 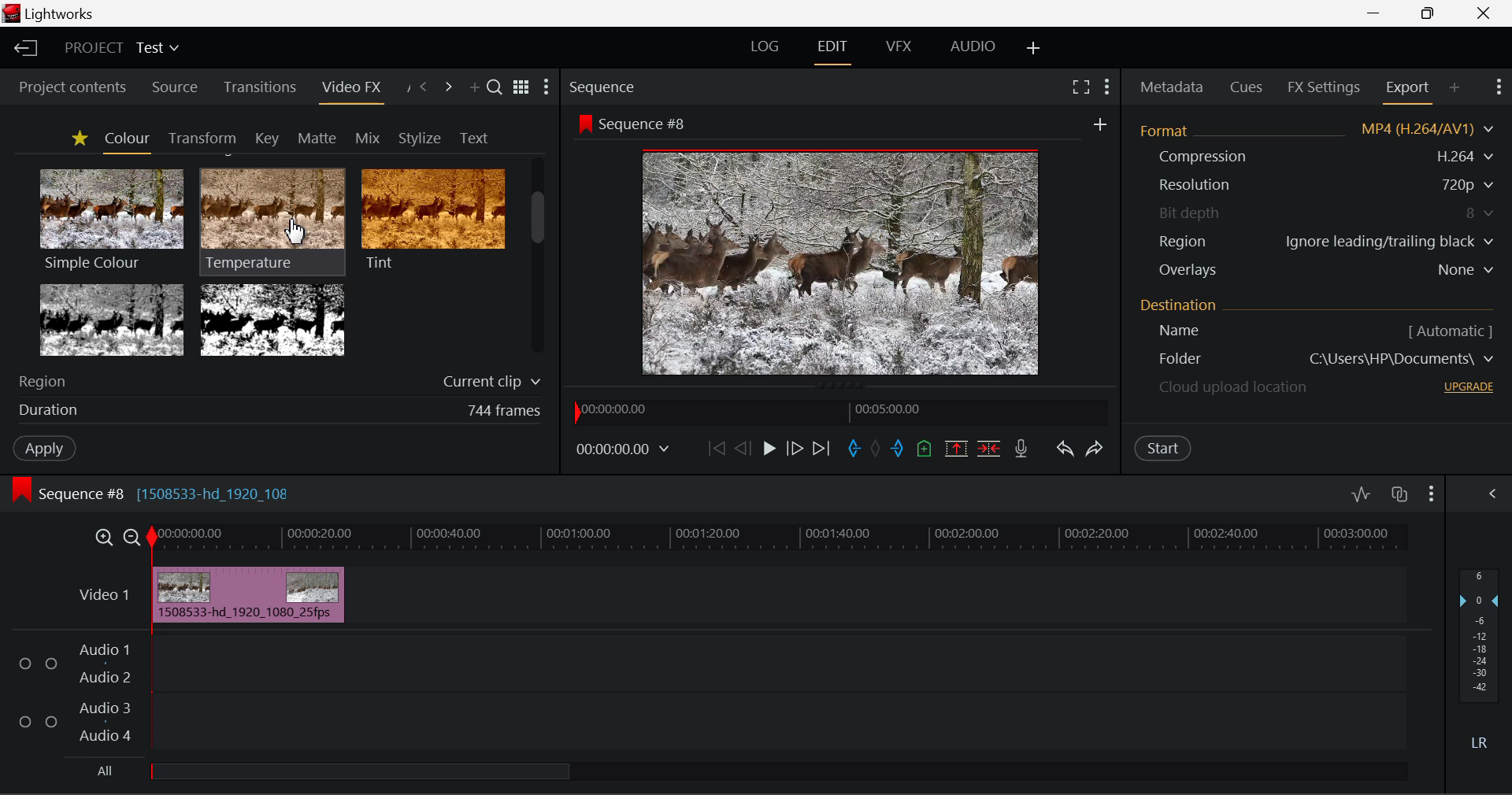 I want to click on Destination, so click(x=1180, y=304).